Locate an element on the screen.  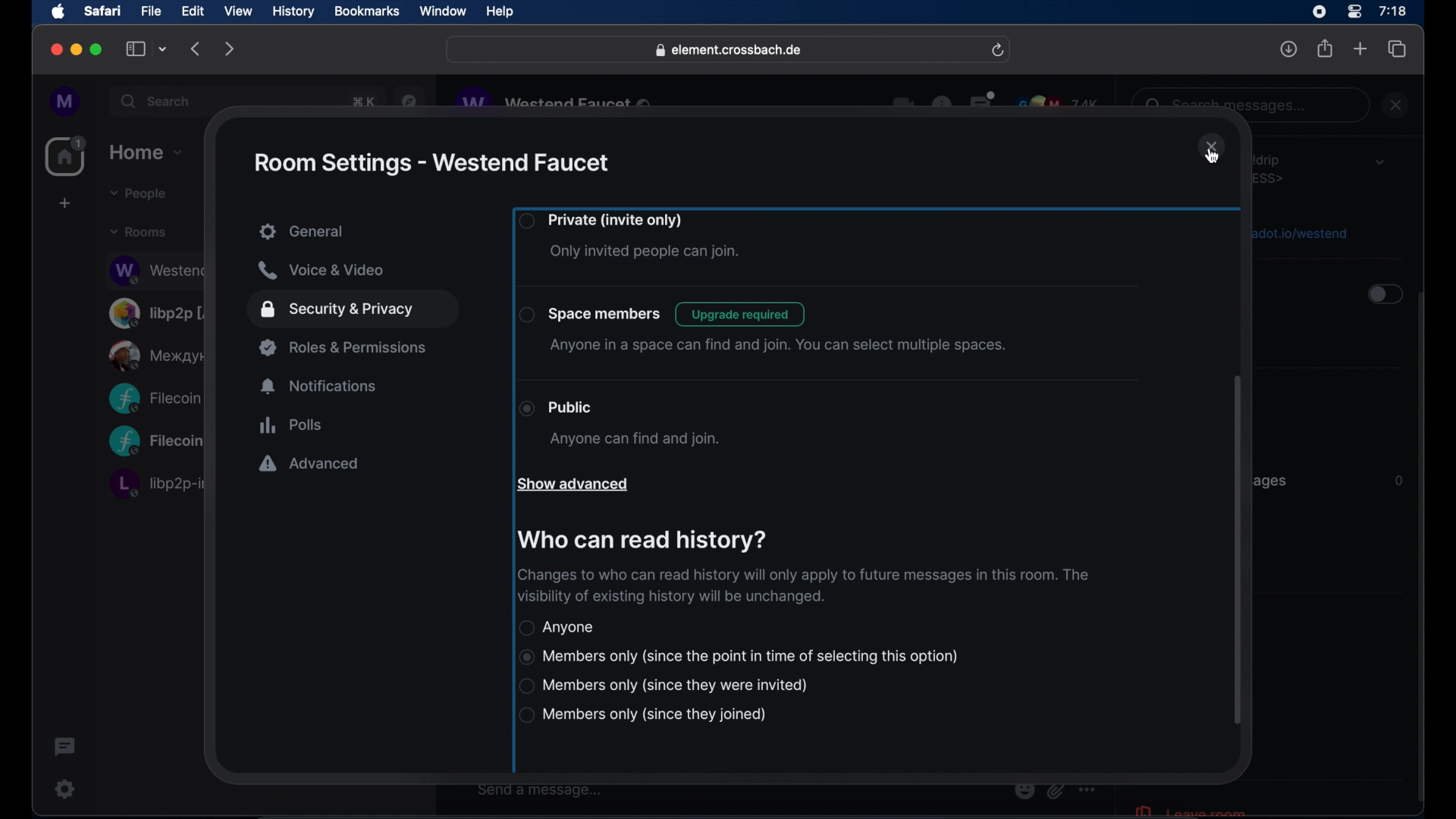
search is located at coordinates (157, 101).